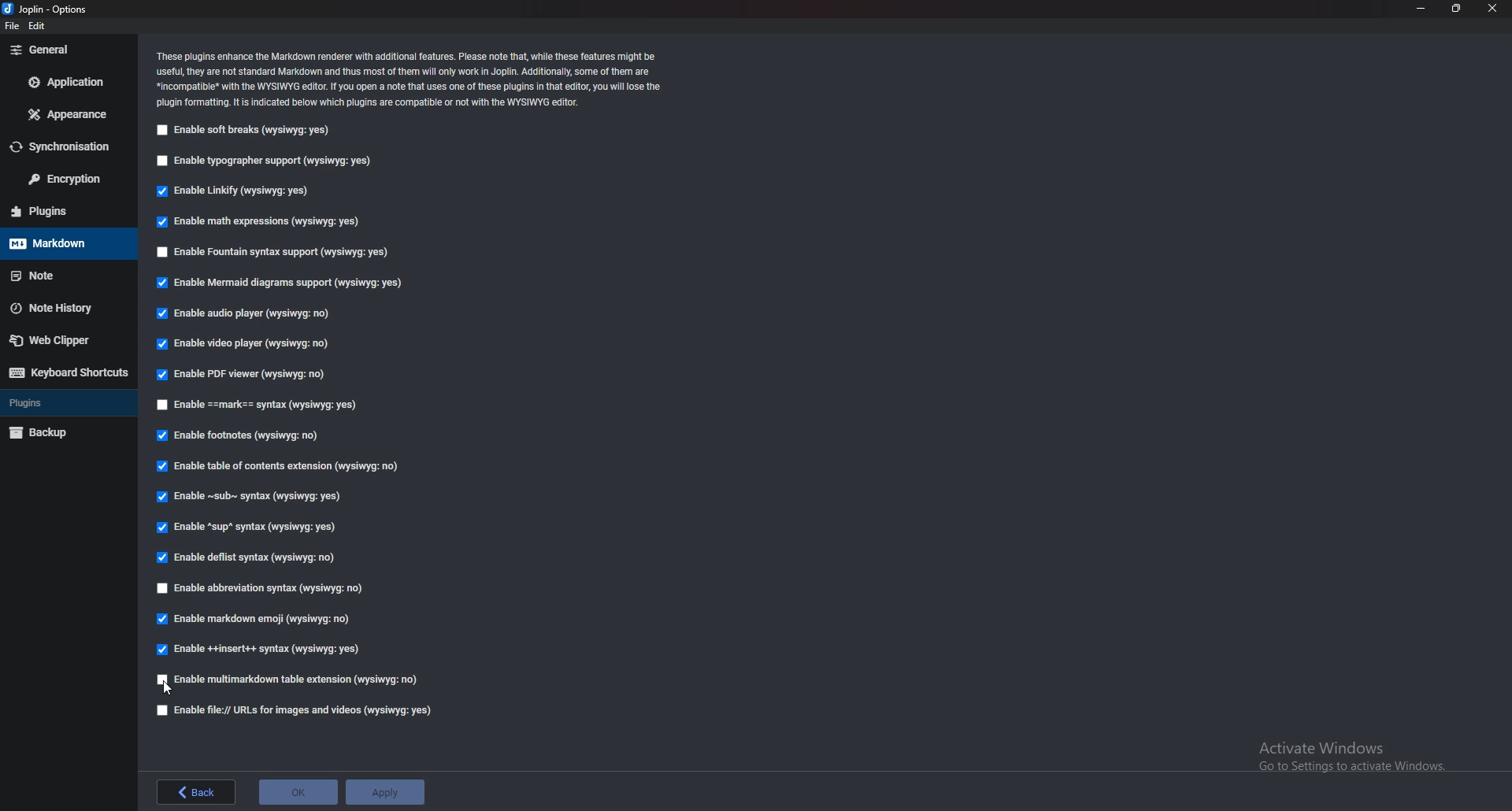 The height and width of the screenshot is (811, 1512). Describe the element at coordinates (299, 792) in the screenshot. I see `ok` at that location.